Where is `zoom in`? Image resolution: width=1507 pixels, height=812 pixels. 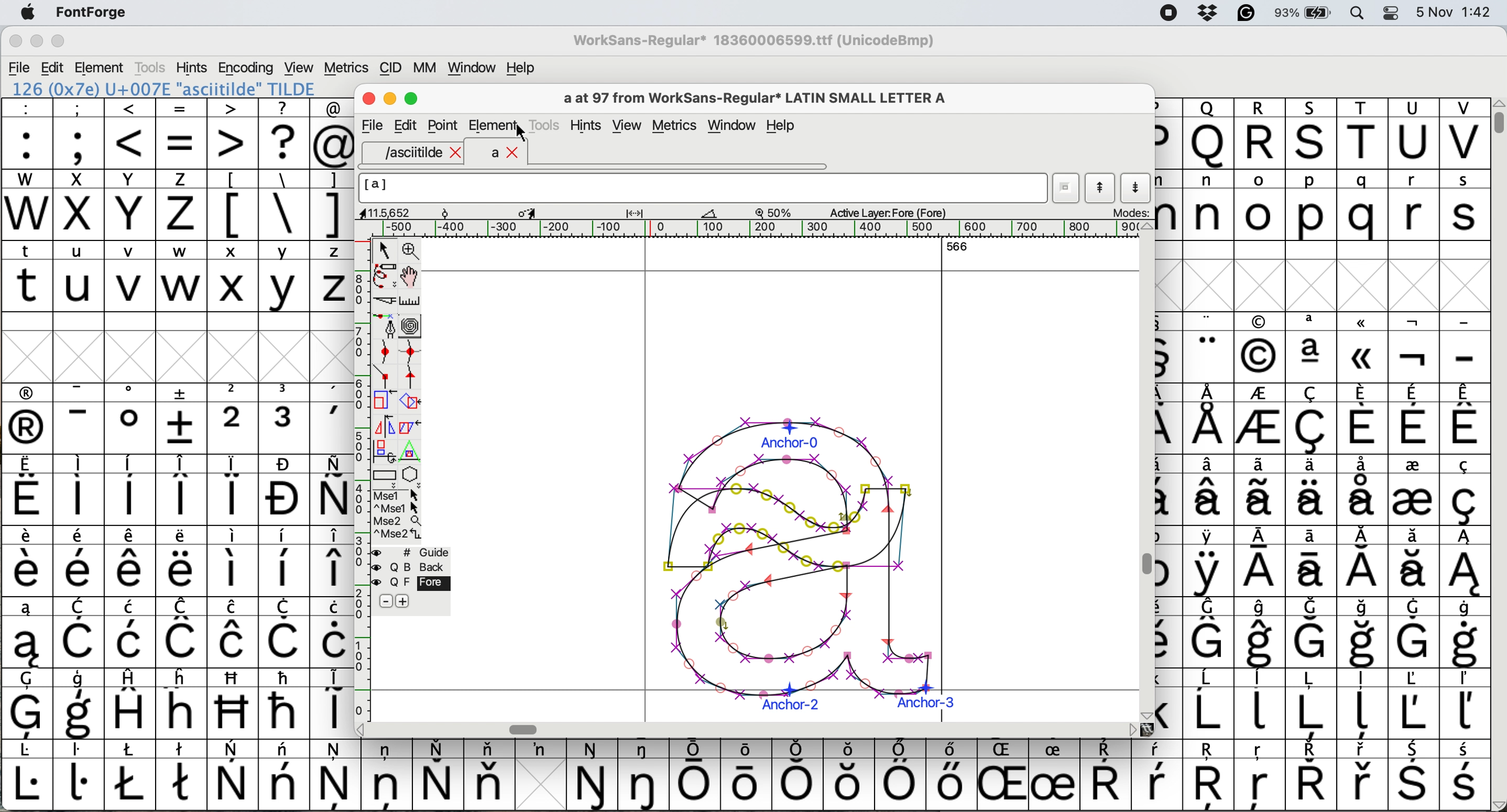 zoom in is located at coordinates (413, 252).